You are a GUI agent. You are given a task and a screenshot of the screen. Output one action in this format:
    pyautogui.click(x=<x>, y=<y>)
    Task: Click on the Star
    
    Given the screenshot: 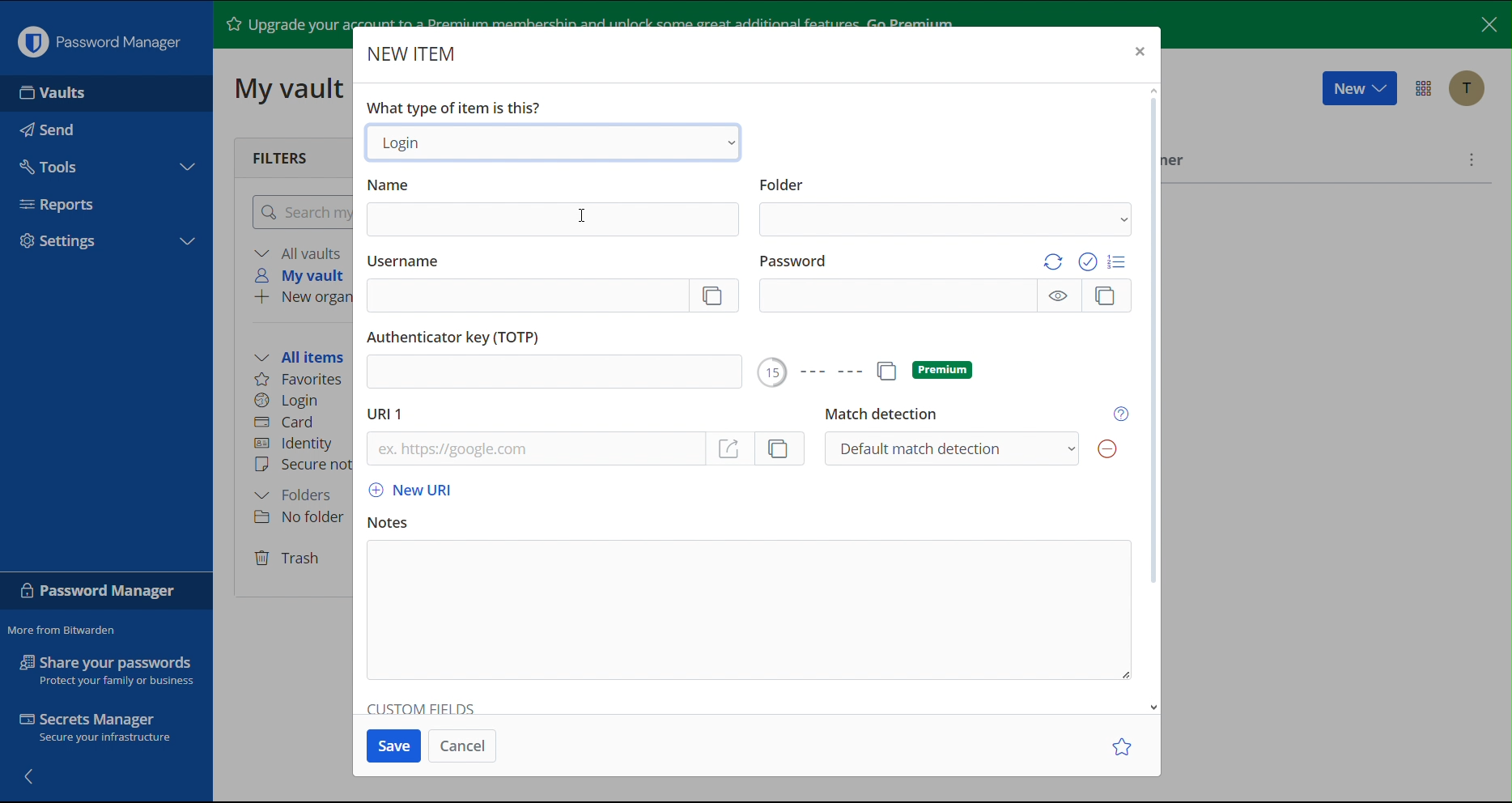 What is the action you would take?
    pyautogui.click(x=1123, y=745)
    